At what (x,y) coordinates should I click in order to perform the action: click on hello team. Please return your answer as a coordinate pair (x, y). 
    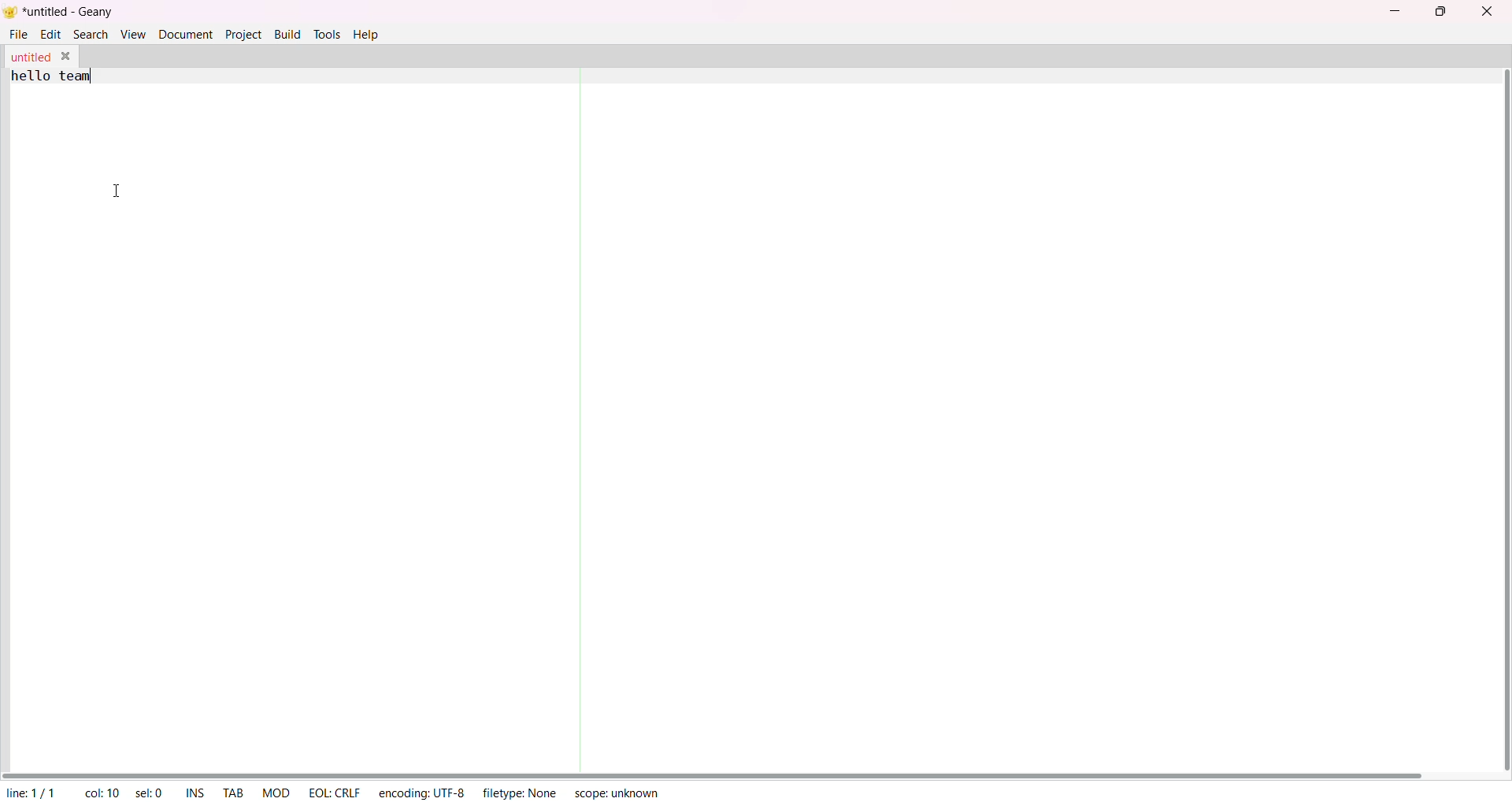
    Looking at the image, I should click on (52, 77).